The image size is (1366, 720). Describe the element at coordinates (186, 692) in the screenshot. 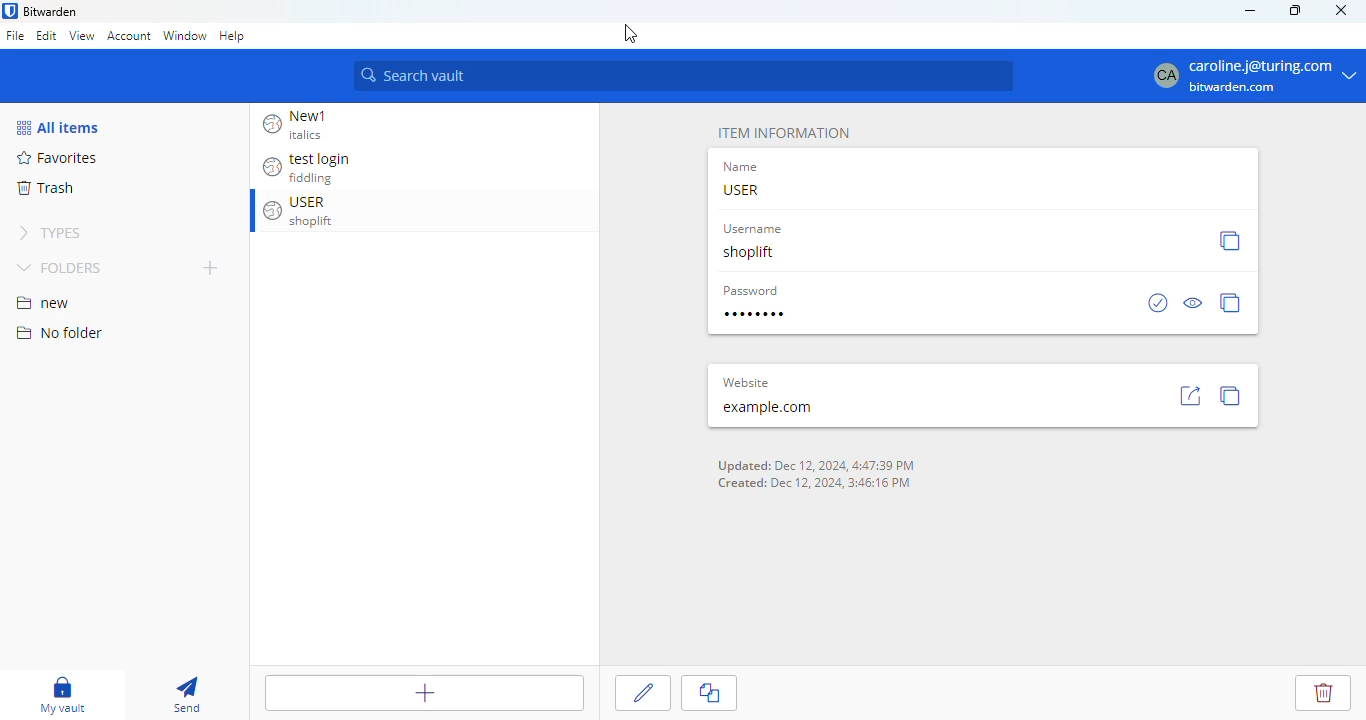

I see `send` at that location.